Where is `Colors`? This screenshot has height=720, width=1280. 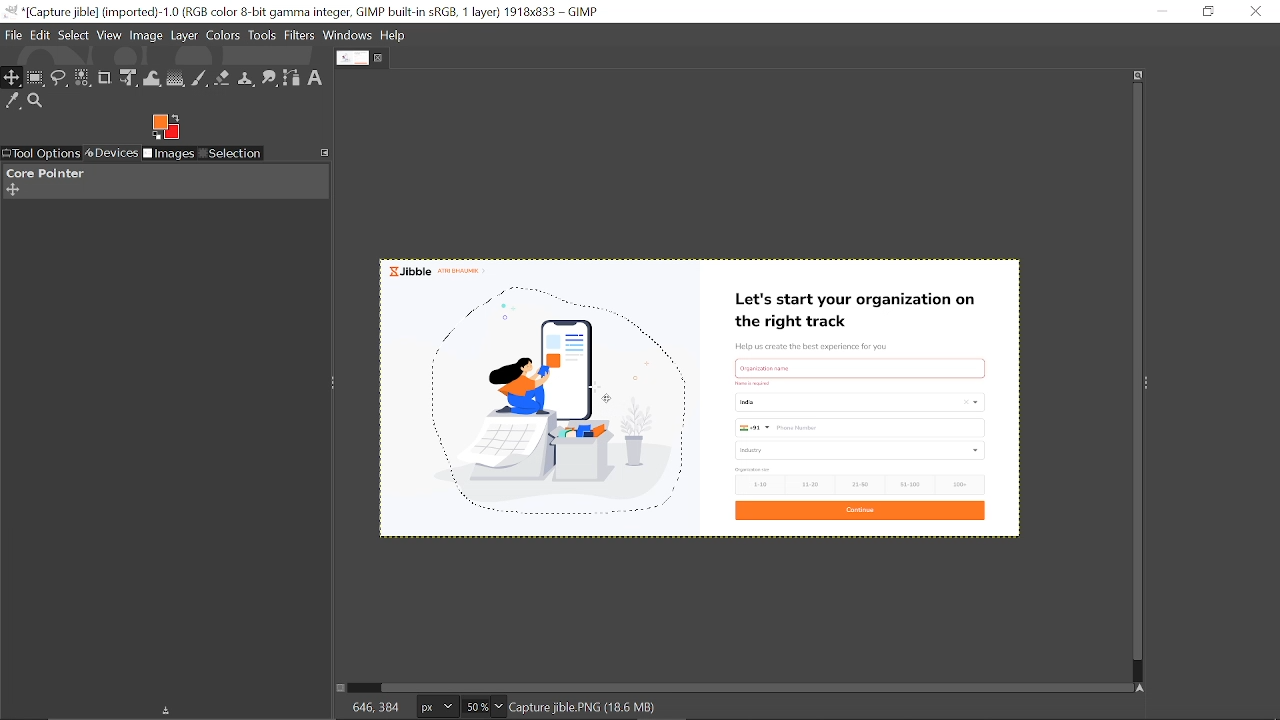
Colors is located at coordinates (223, 37).